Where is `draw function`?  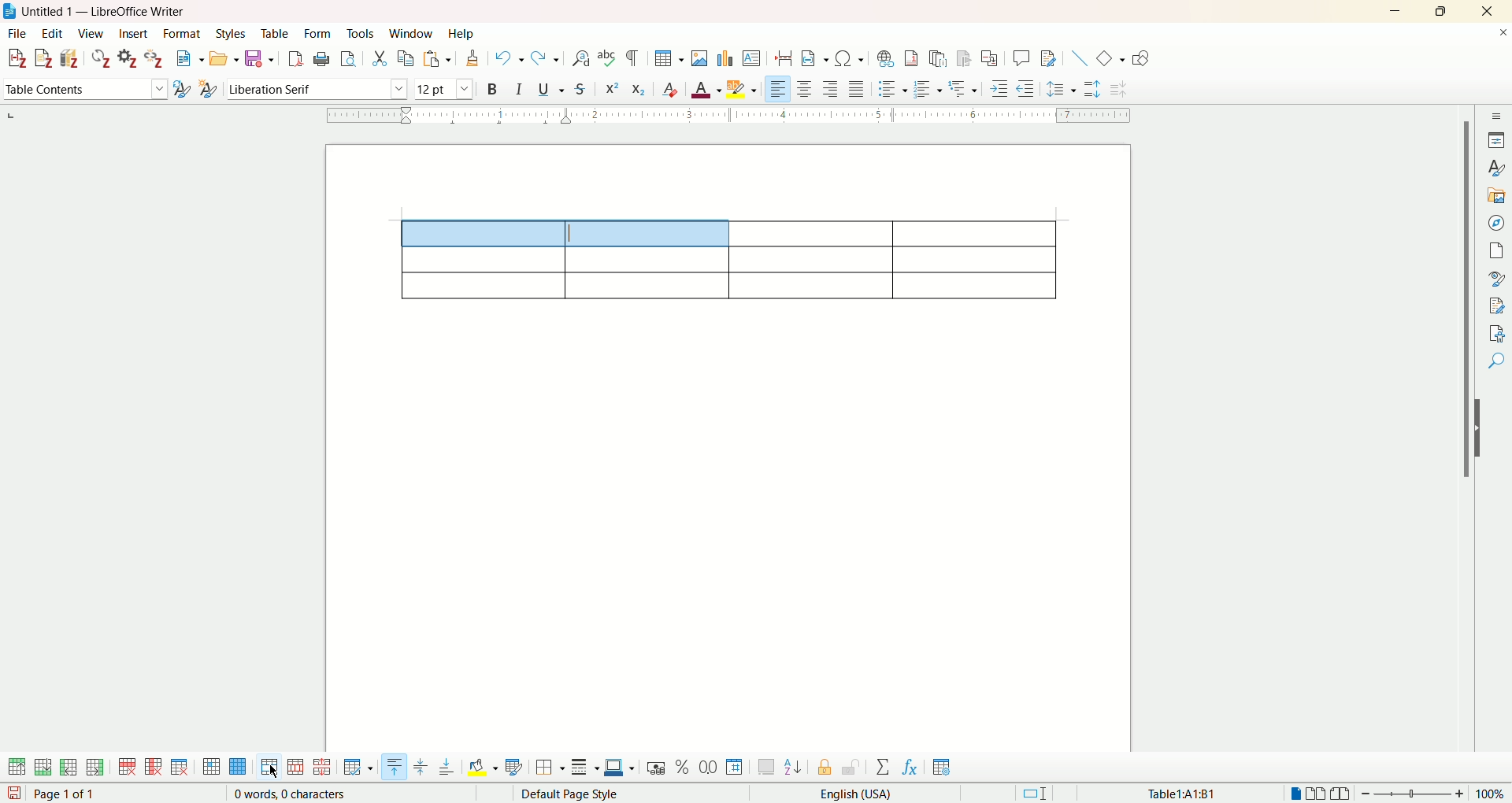
draw function is located at coordinates (1142, 60).